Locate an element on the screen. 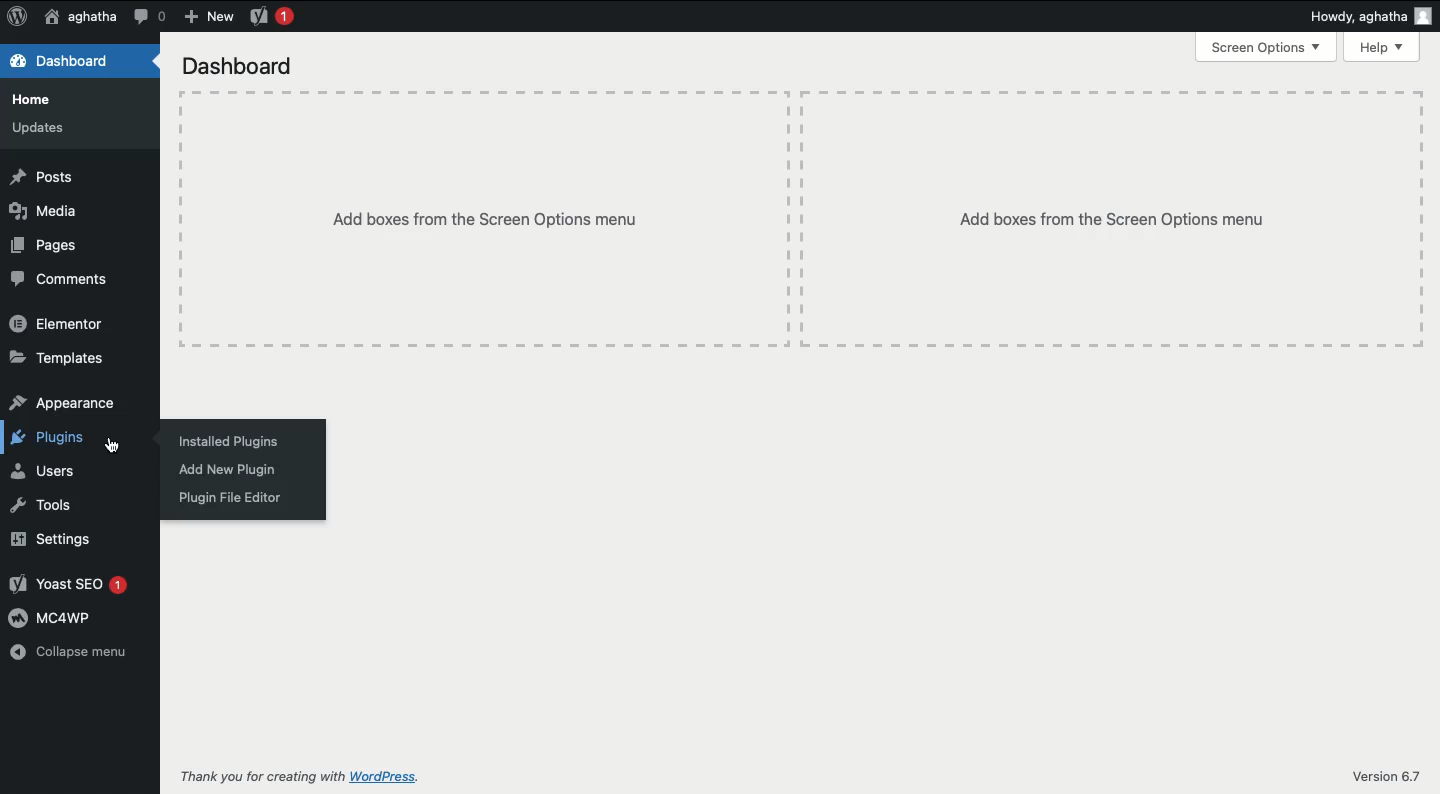 This screenshot has height=794, width=1440. Yoast is located at coordinates (273, 18).